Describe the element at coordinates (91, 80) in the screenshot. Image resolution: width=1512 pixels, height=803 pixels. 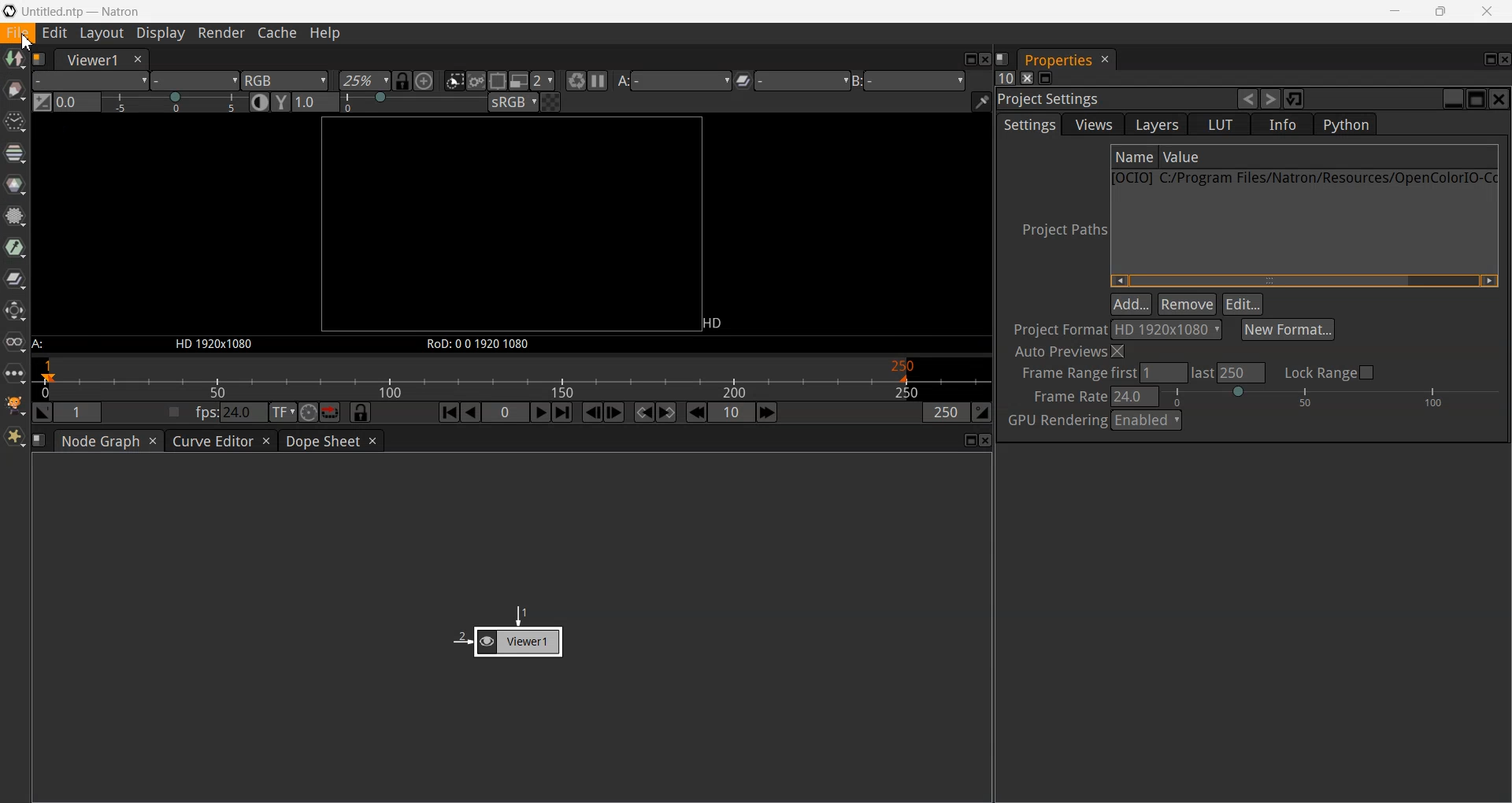
I see `viewer toolbar` at that location.